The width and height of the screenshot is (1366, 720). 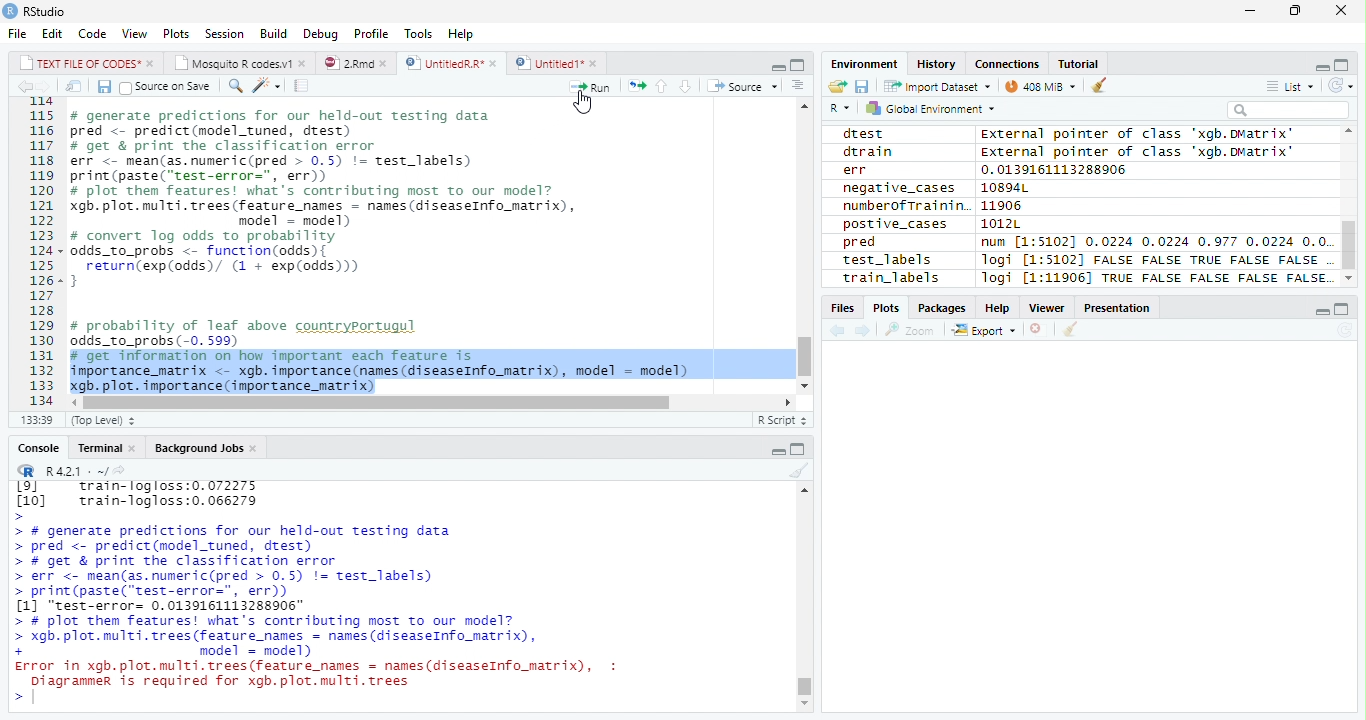 What do you see at coordinates (938, 64) in the screenshot?
I see `History` at bounding box center [938, 64].